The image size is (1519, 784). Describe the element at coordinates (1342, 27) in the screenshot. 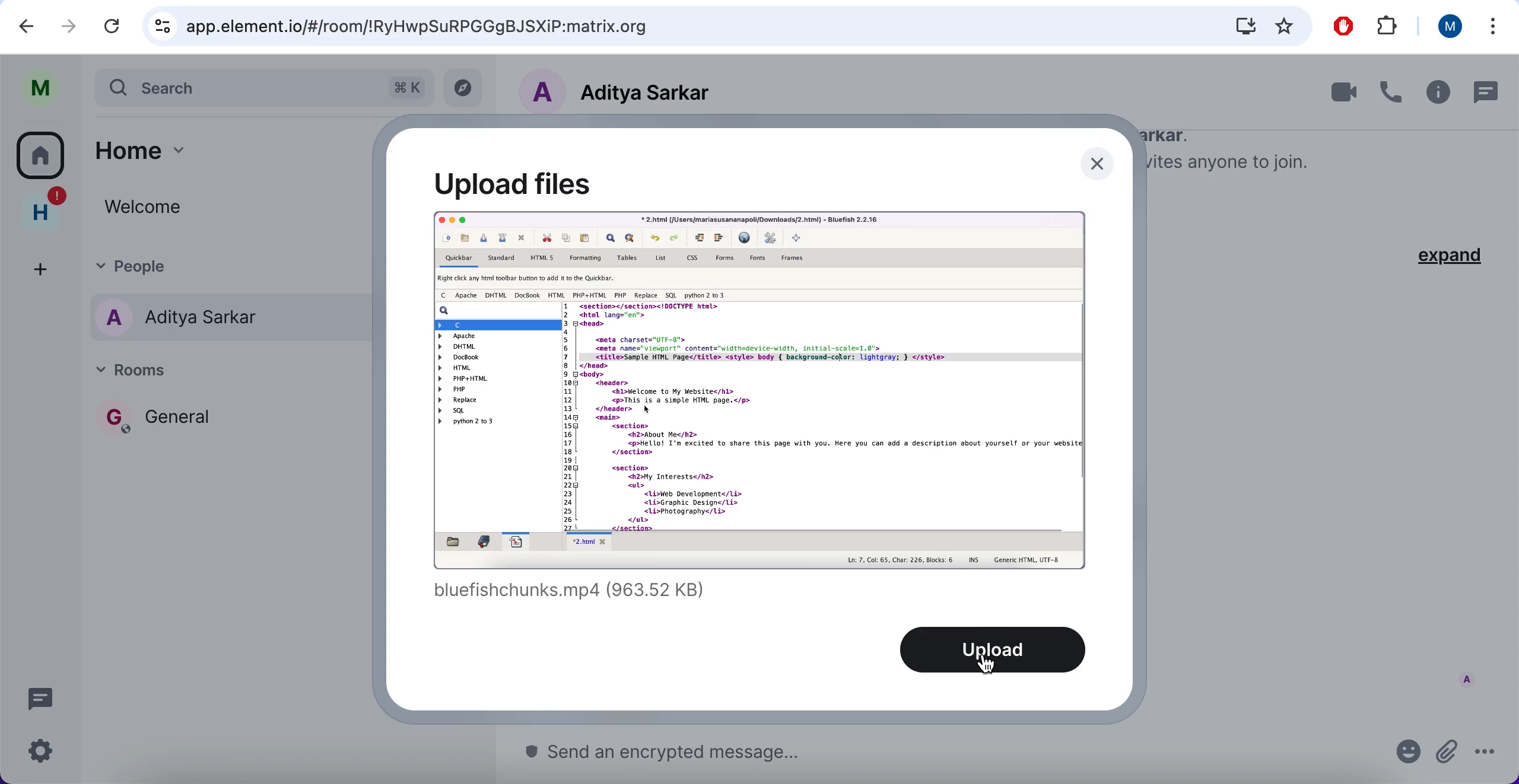

I see `ad block` at that location.